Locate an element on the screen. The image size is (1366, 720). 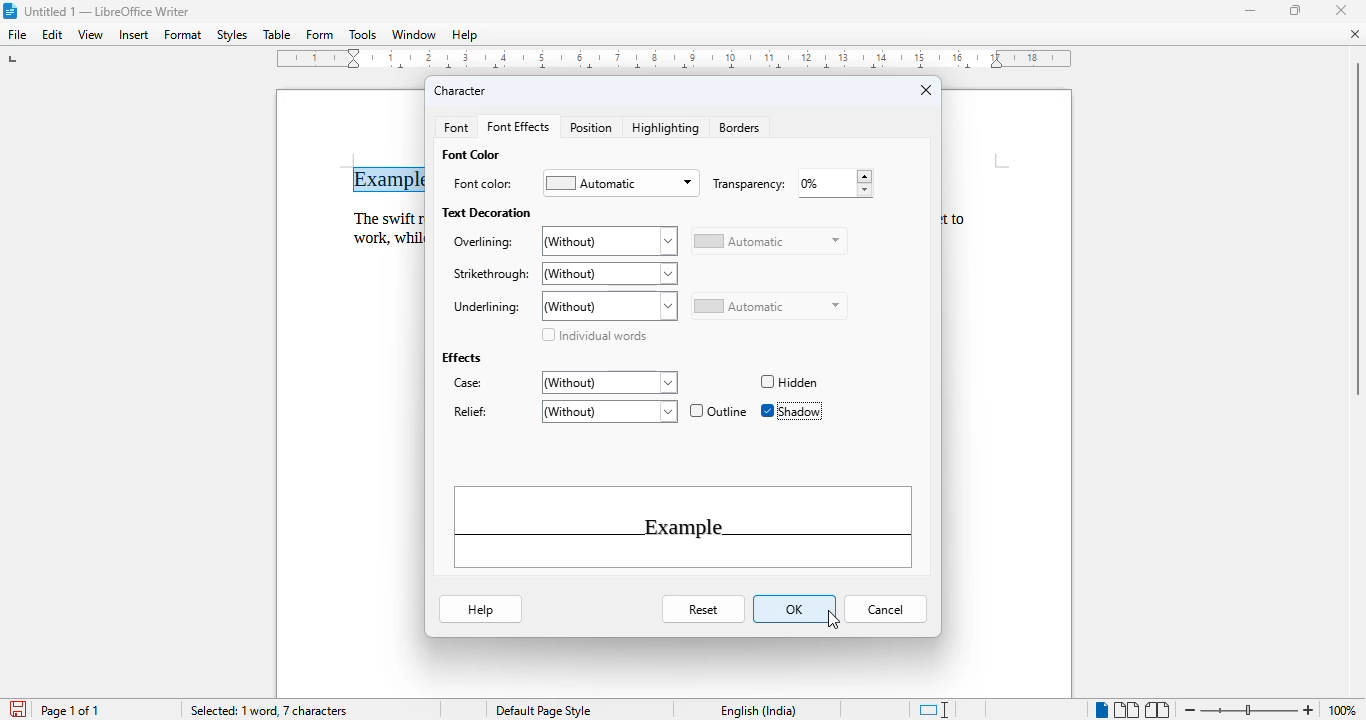
font color: automatic is located at coordinates (574, 182).